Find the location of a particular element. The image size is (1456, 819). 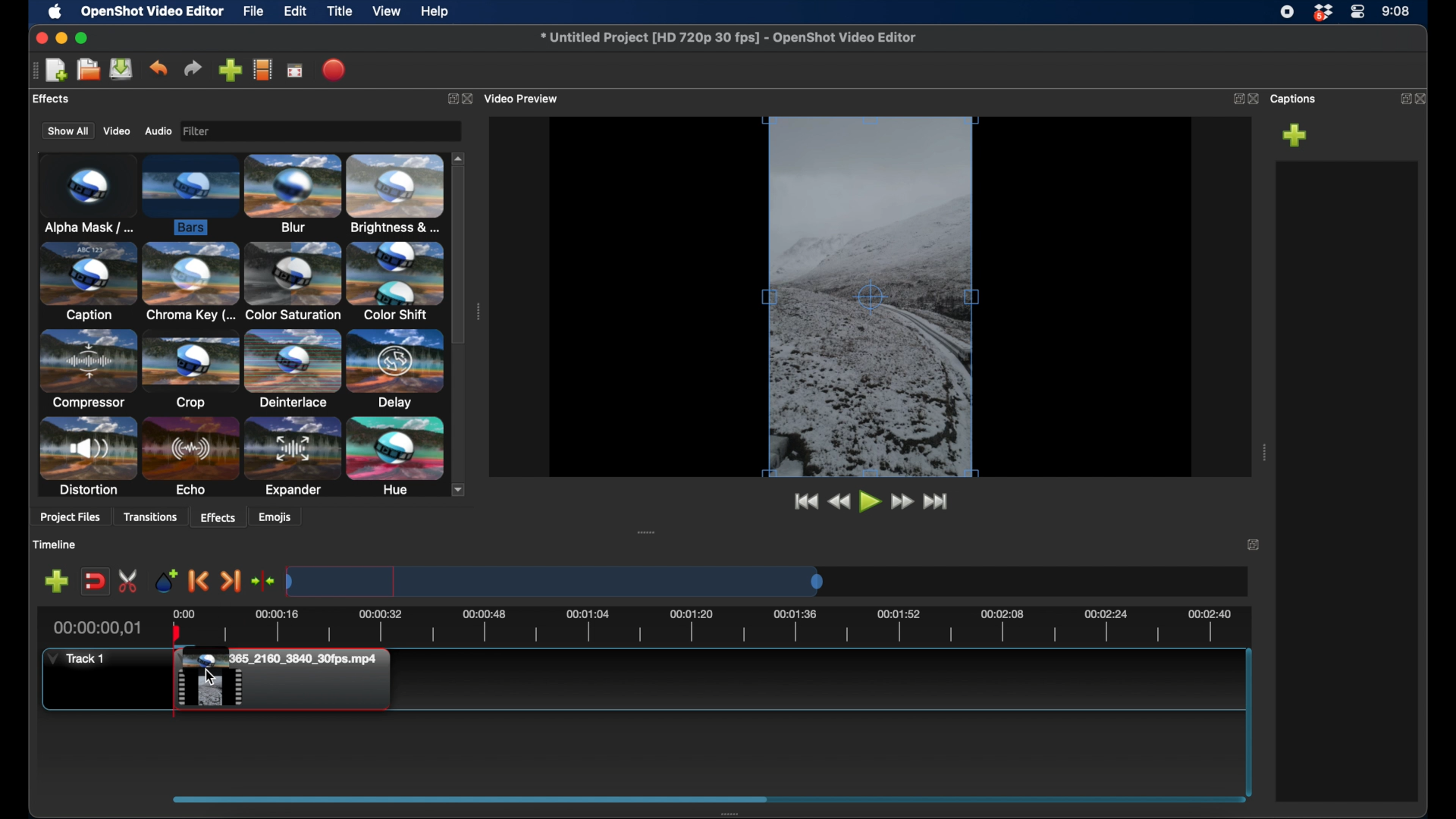

deinterlace is located at coordinates (291, 370).